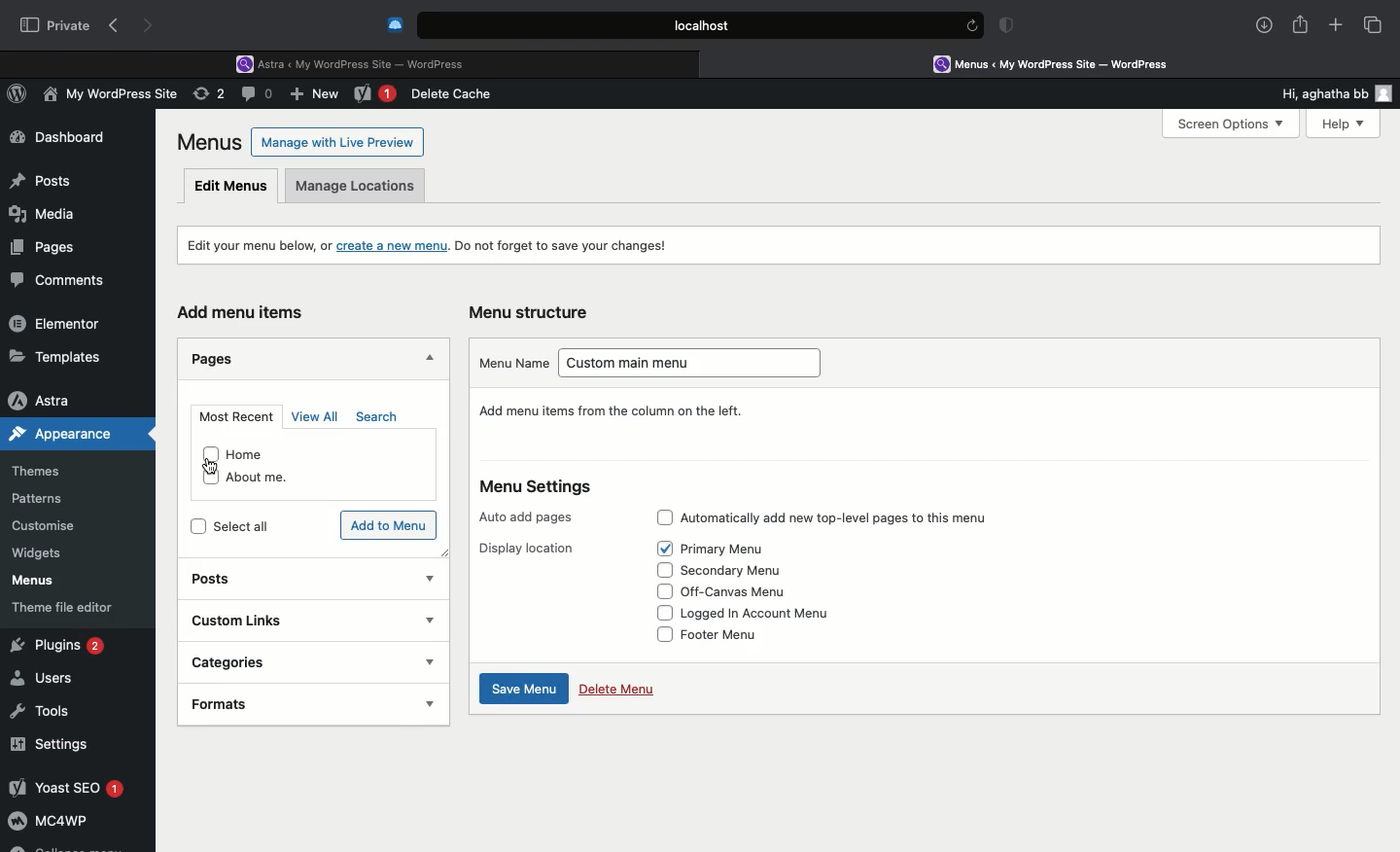 The width and height of the screenshot is (1400, 852). Describe the element at coordinates (66, 281) in the screenshot. I see `Comments` at that location.